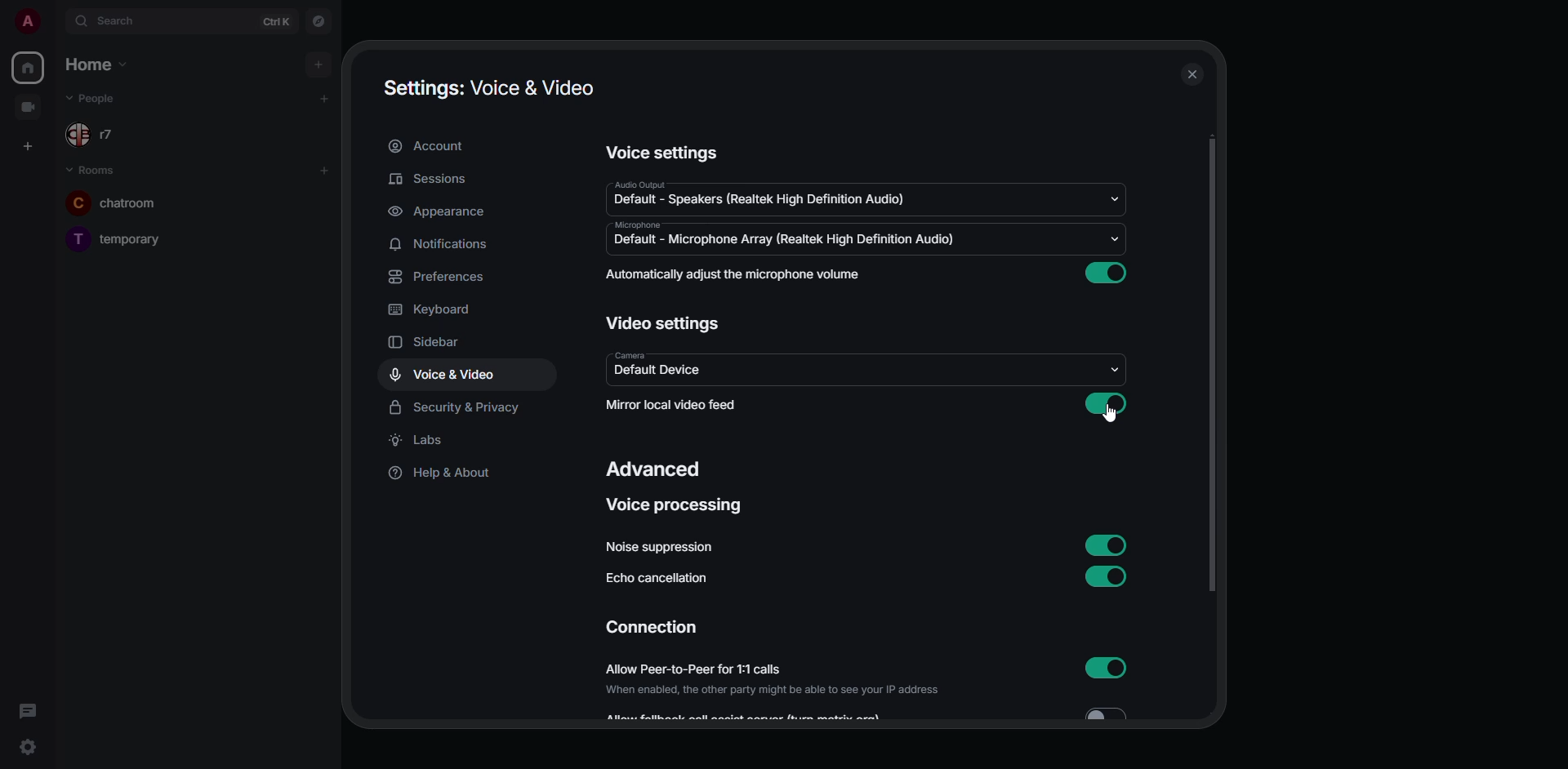 The height and width of the screenshot is (769, 1568). I want to click on enabled, so click(1109, 665).